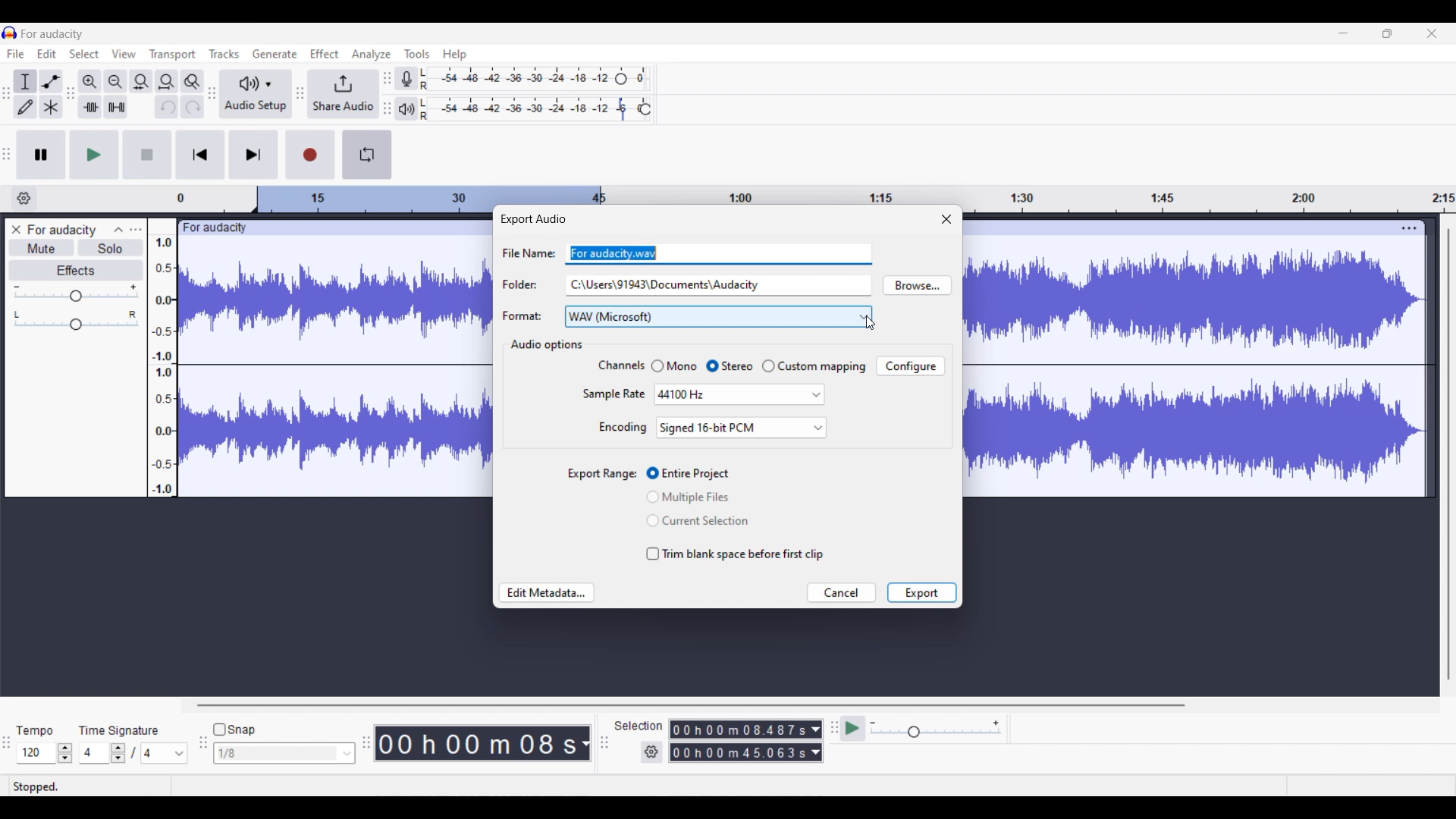  What do you see at coordinates (1343, 33) in the screenshot?
I see `Minimize` at bounding box center [1343, 33].